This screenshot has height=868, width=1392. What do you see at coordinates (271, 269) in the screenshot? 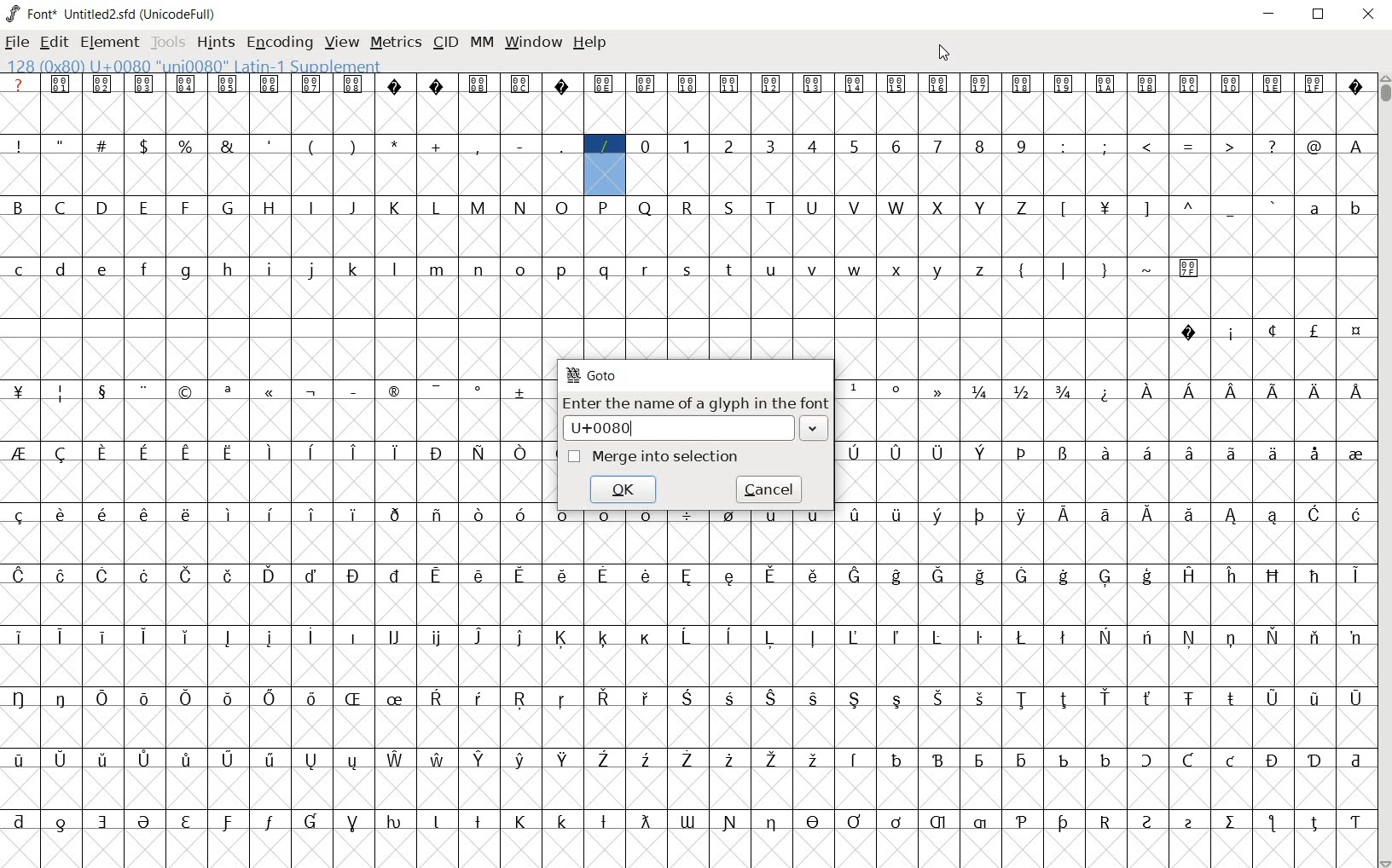
I see `glyph` at bounding box center [271, 269].